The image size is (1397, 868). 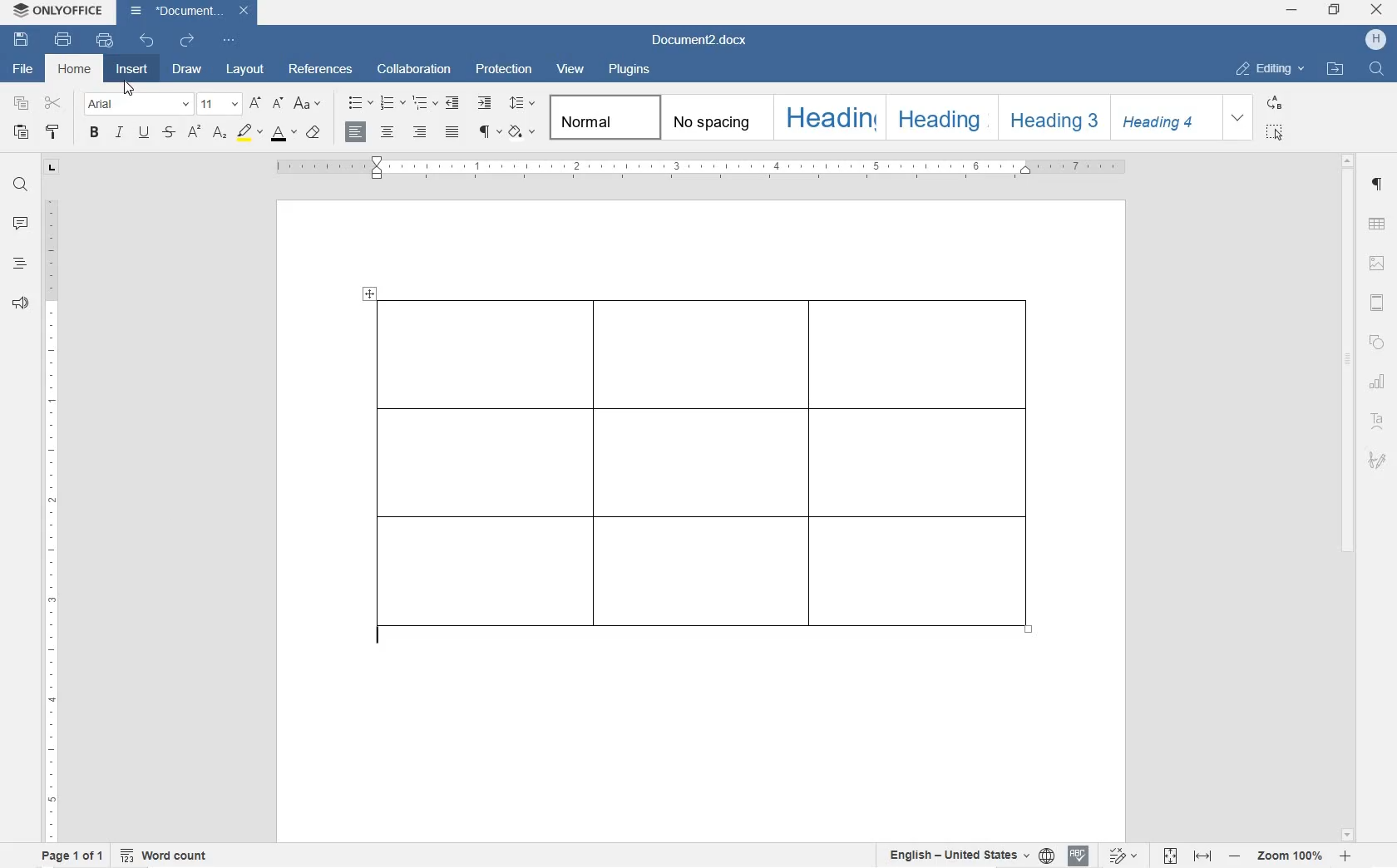 I want to click on underline, so click(x=144, y=133).